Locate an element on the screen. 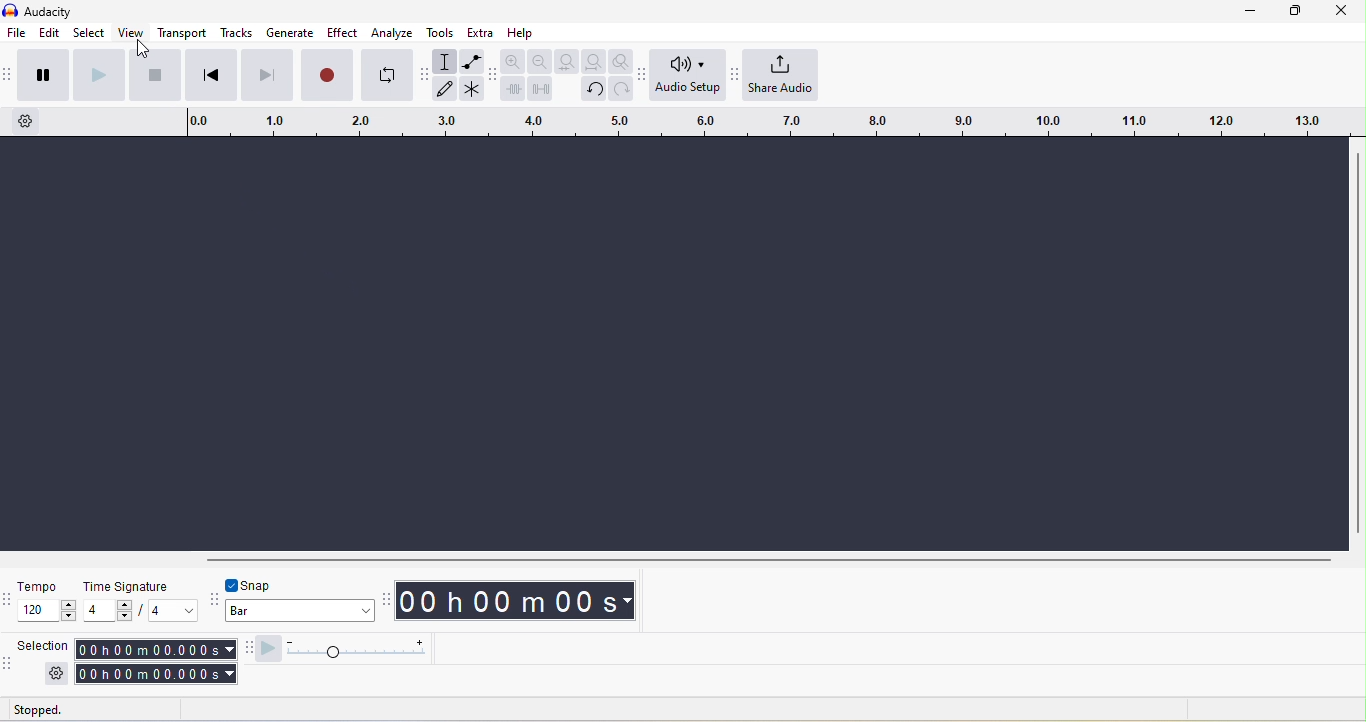 The image size is (1366, 722). share audio toolbar is located at coordinates (733, 73).